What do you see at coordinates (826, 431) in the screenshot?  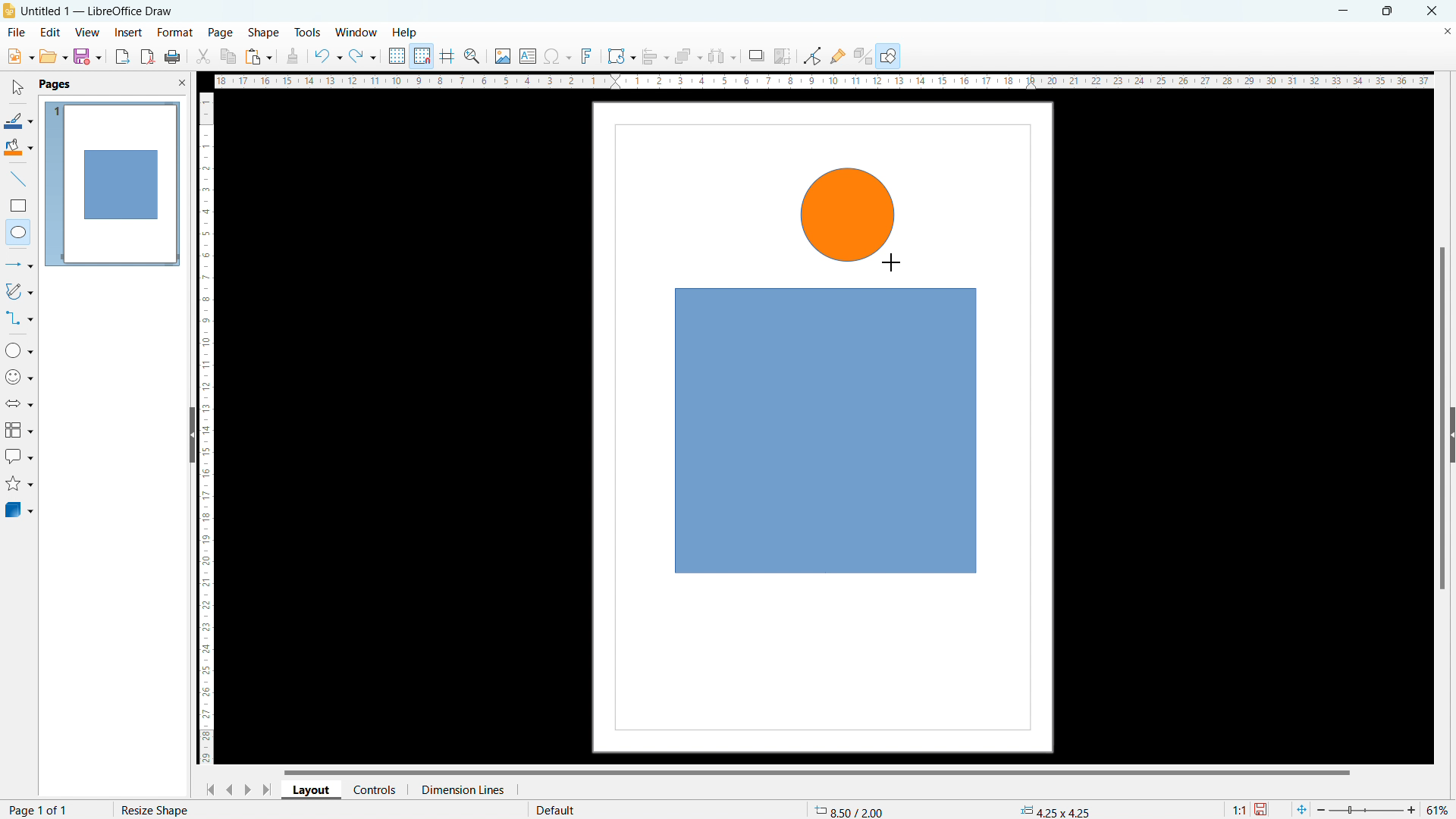 I see `object 1` at bounding box center [826, 431].